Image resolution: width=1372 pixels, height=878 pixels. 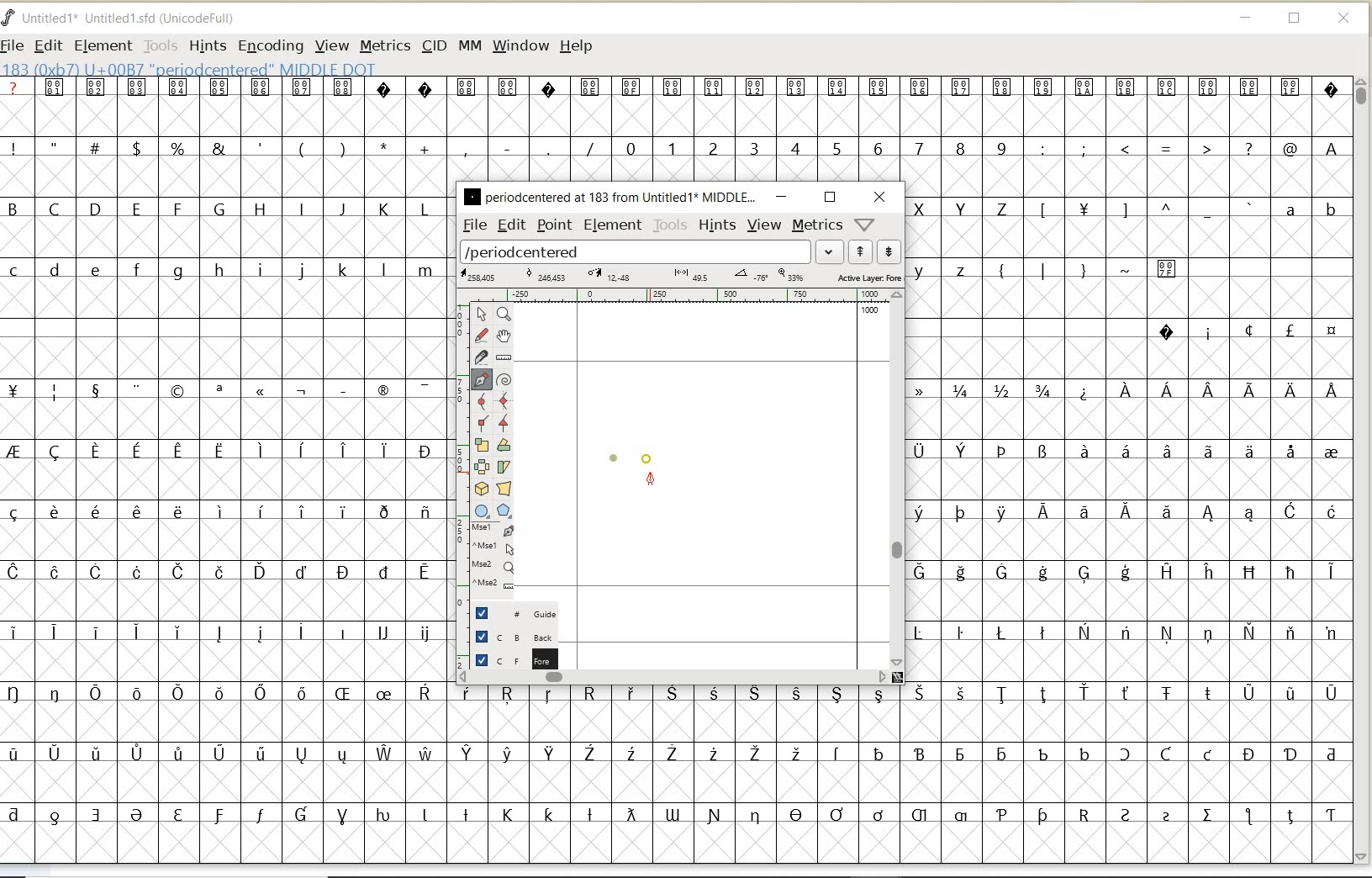 What do you see at coordinates (481, 357) in the screenshot?
I see `cut splines in two` at bounding box center [481, 357].